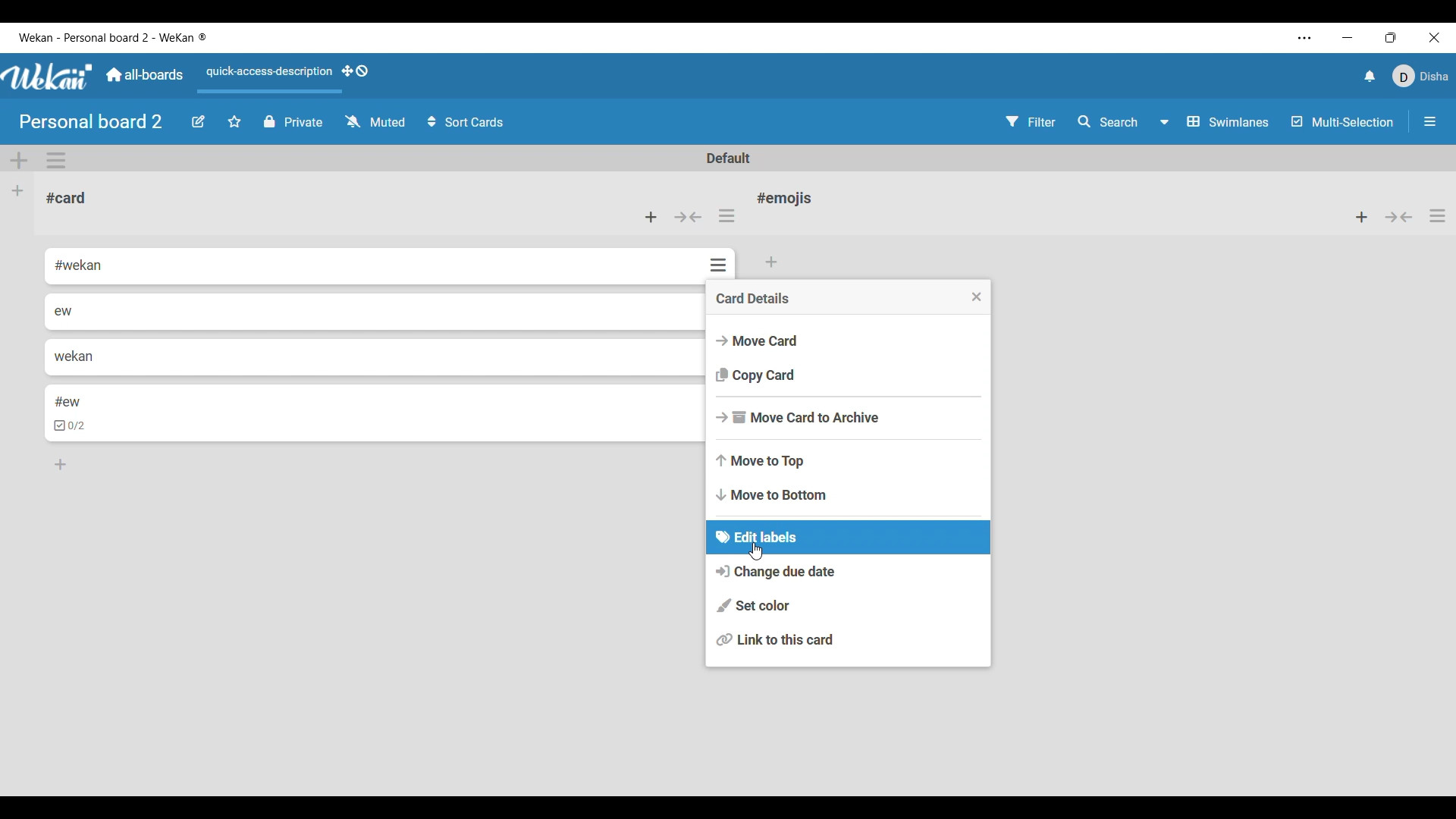 The width and height of the screenshot is (1456, 819). I want to click on Minimize, so click(1347, 38).